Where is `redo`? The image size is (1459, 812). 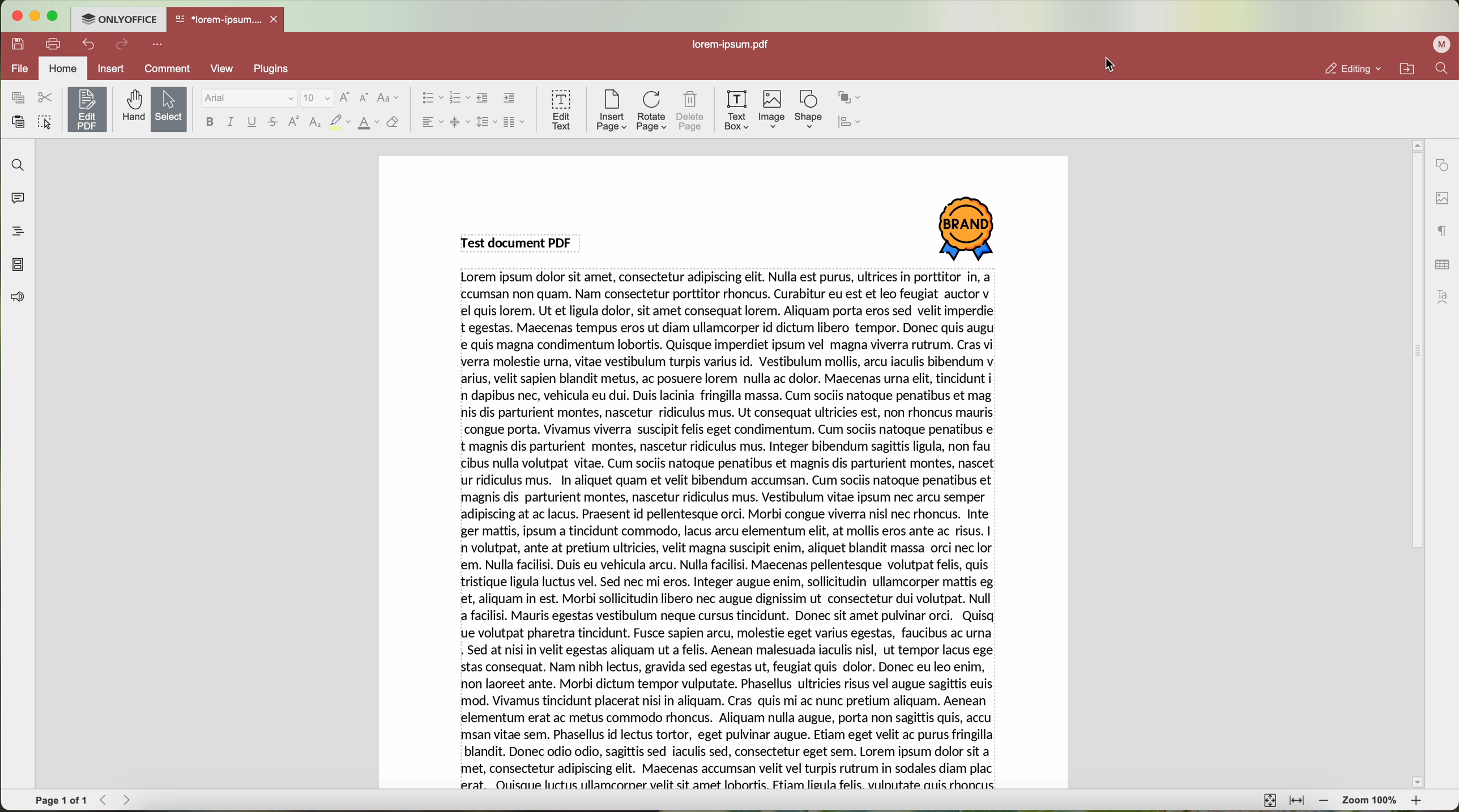 redo is located at coordinates (122, 45).